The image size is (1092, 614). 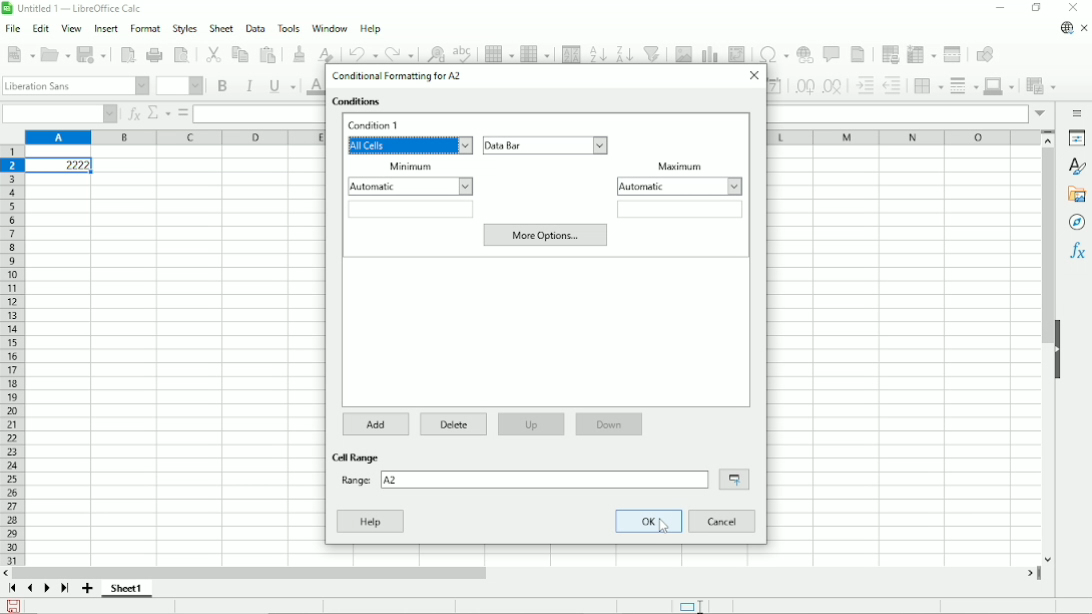 What do you see at coordinates (287, 28) in the screenshot?
I see `Tools` at bounding box center [287, 28].